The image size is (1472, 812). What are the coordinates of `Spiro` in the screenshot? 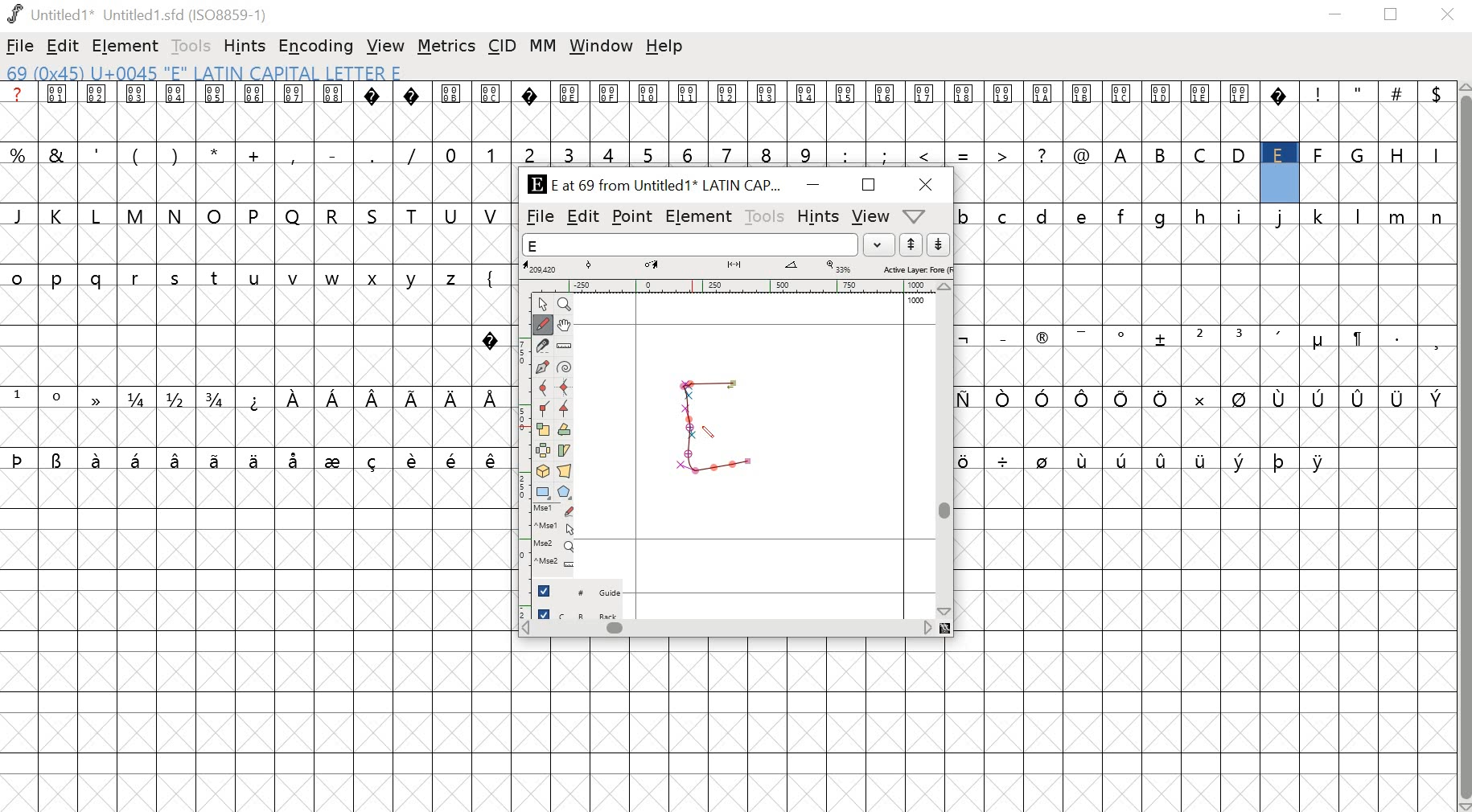 It's located at (565, 366).